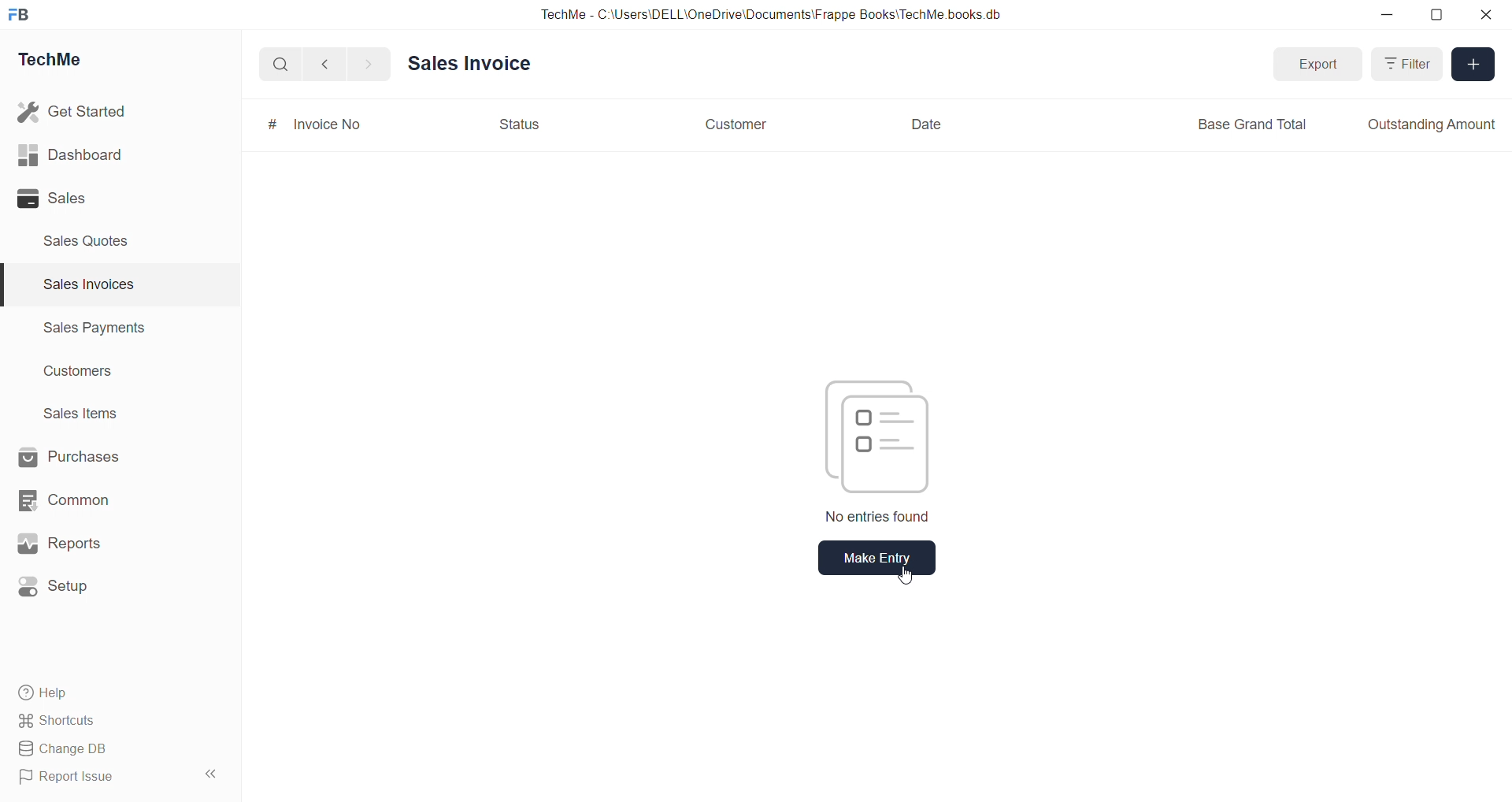  What do you see at coordinates (1434, 123) in the screenshot?
I see `Outstanding Amount` at bounding box center [1434, 123].